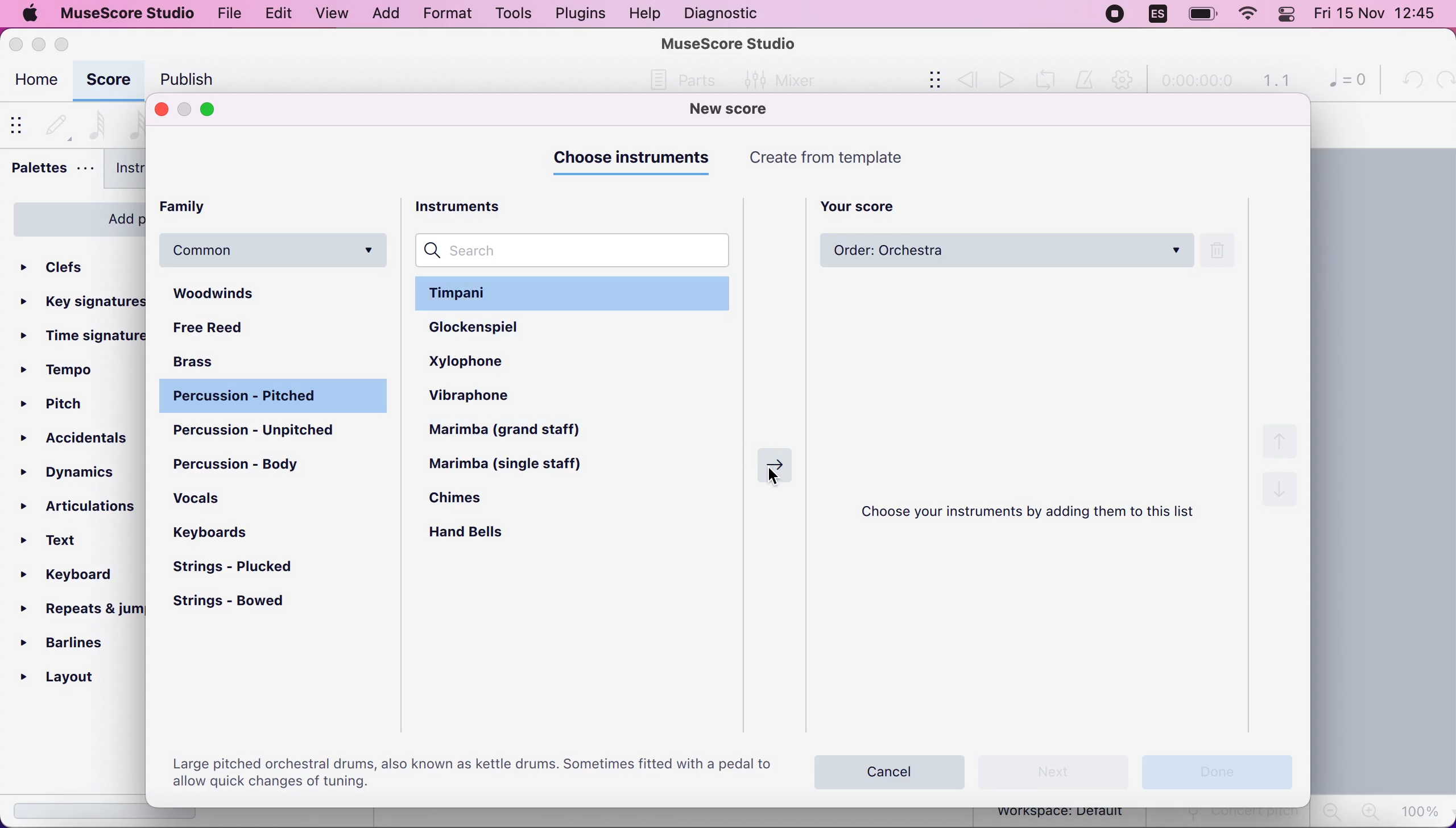 The image size is (1456, 828). I want to click on undo, so click(1409, 80).